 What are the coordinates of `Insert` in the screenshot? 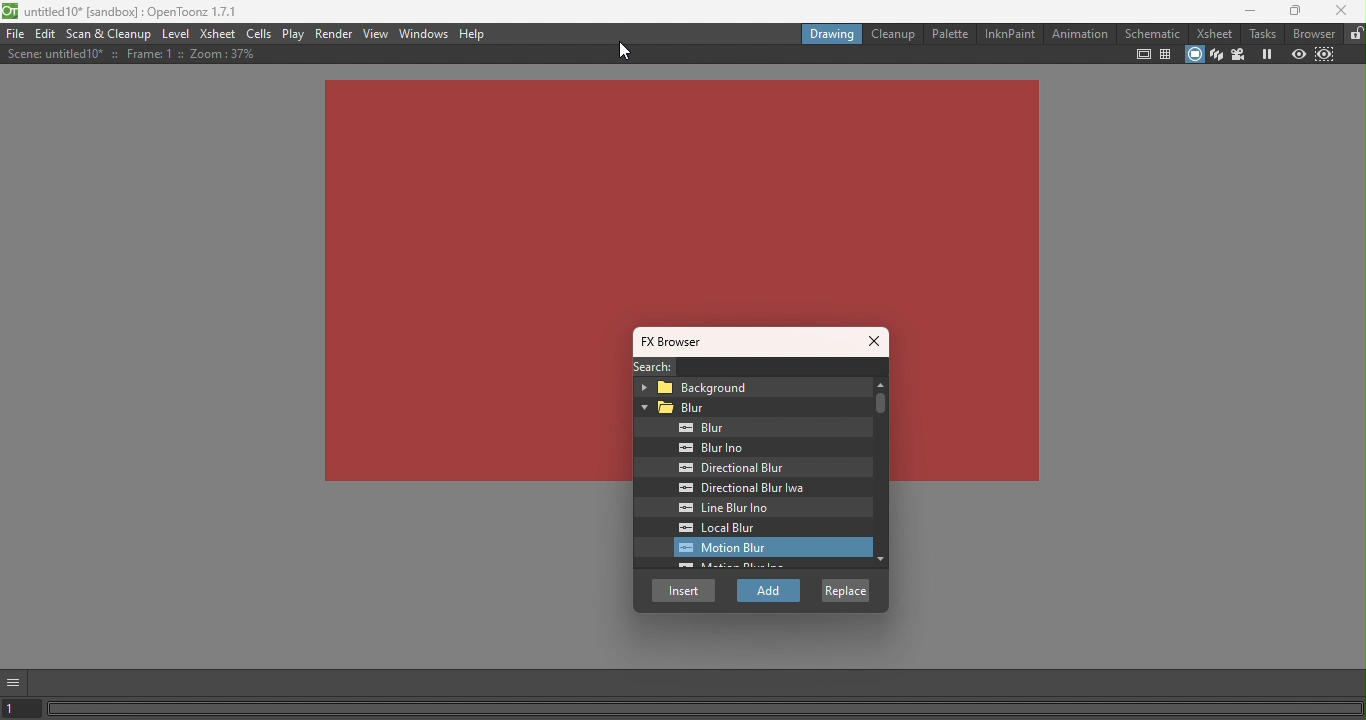 It's located at (684, 590).